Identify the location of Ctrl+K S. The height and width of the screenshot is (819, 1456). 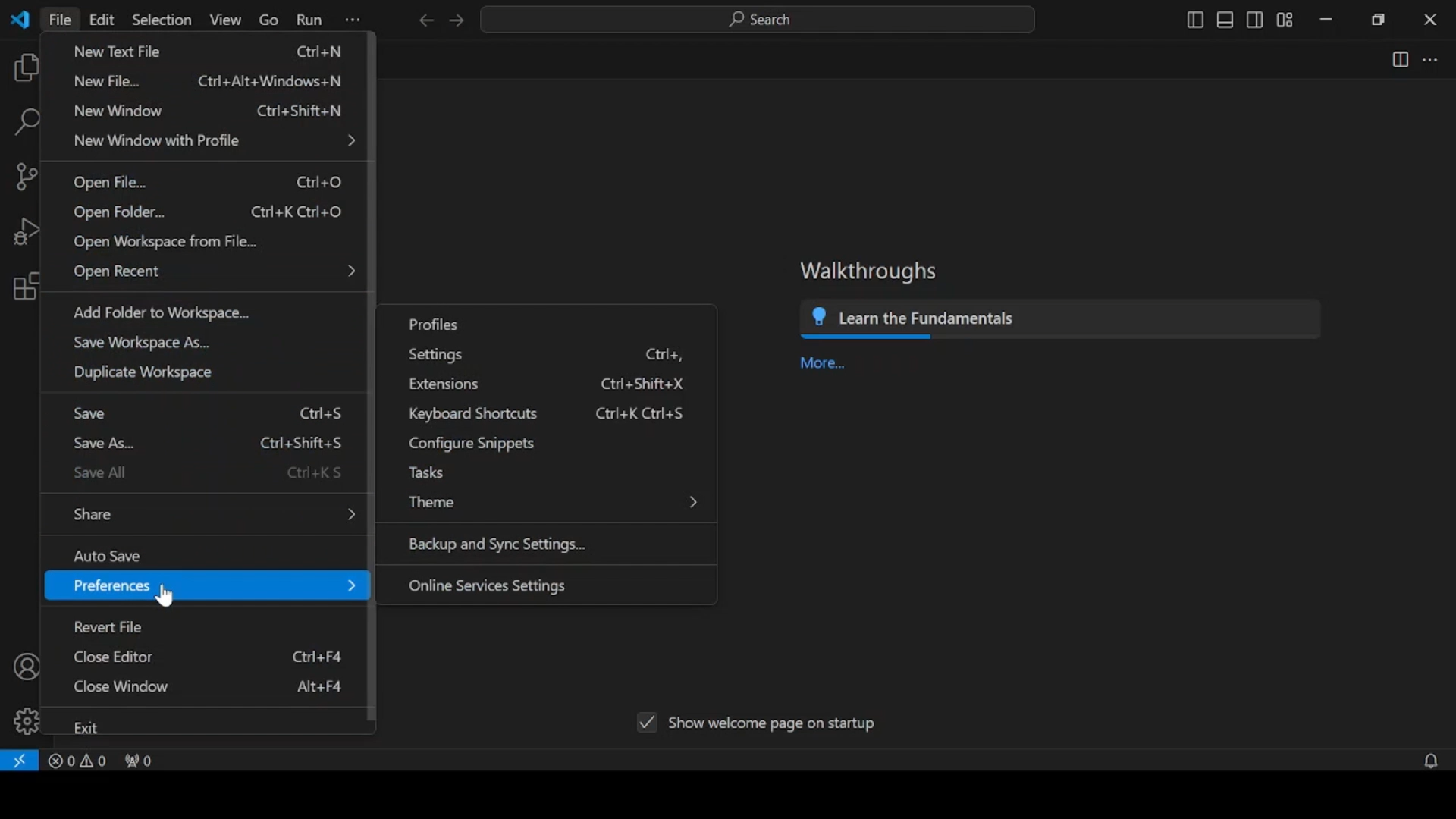
(316, 473).